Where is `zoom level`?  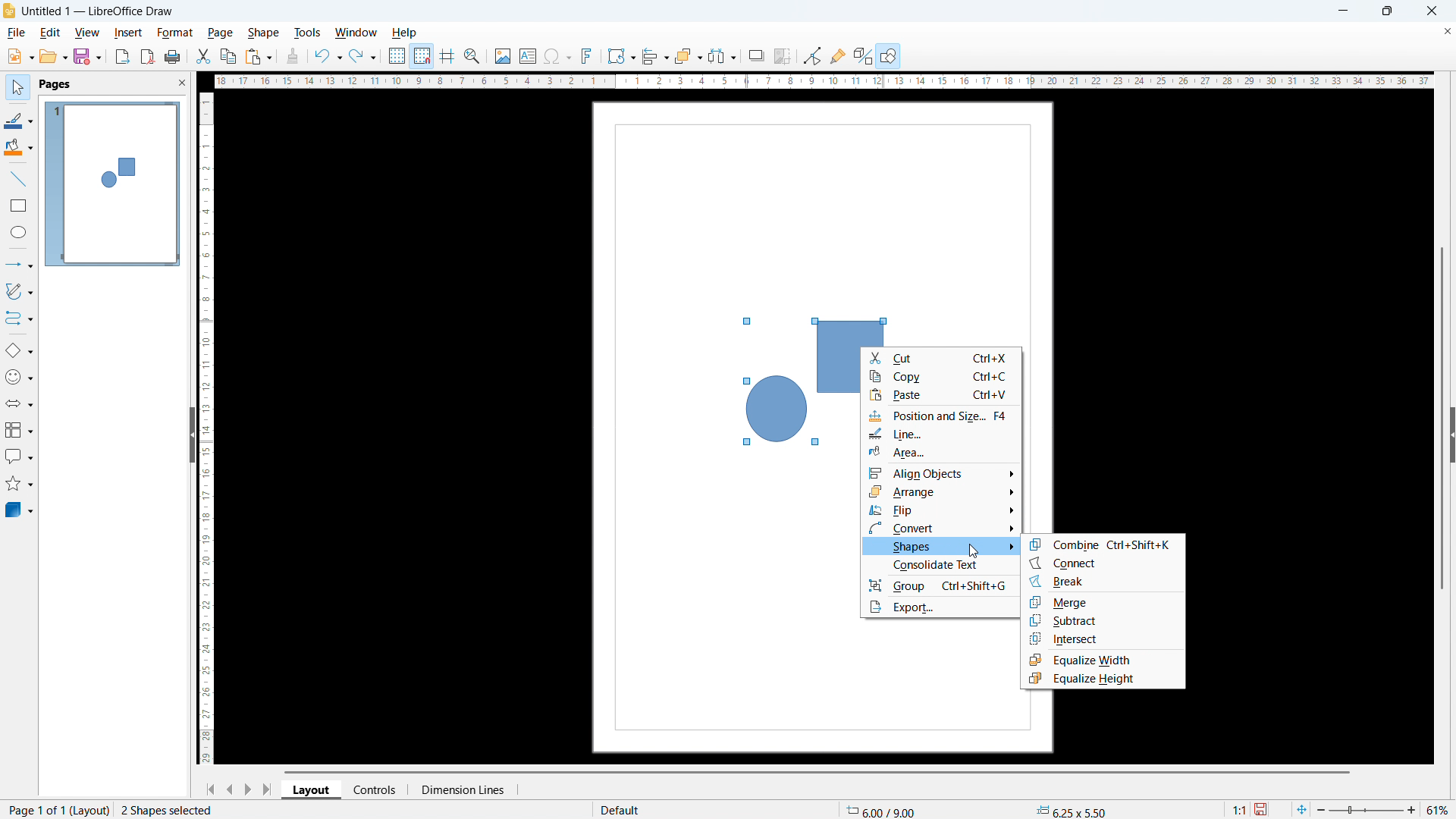
zoom level is located at coordinates (1439, 809).